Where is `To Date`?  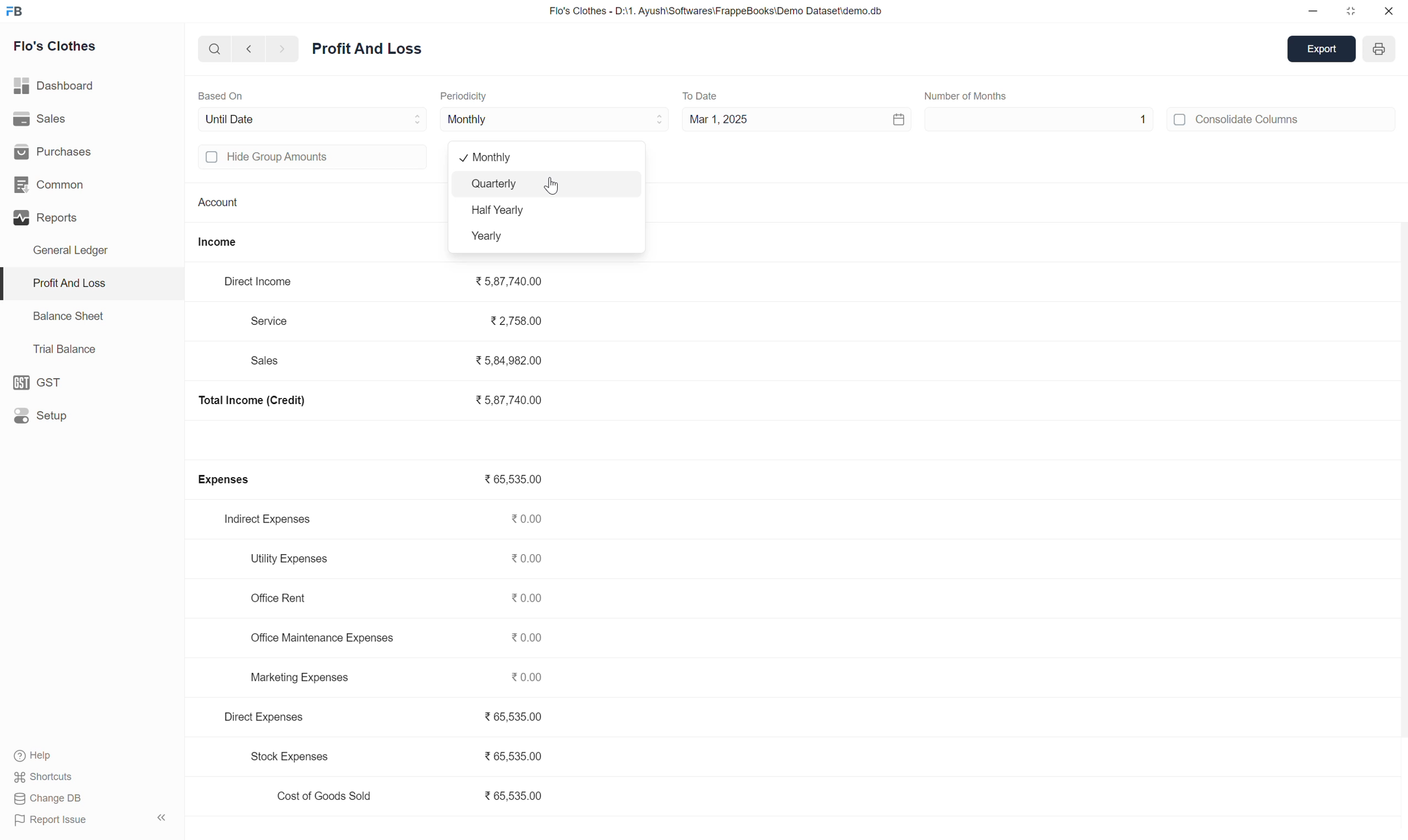
To Date is located at coordinates (704, 93).